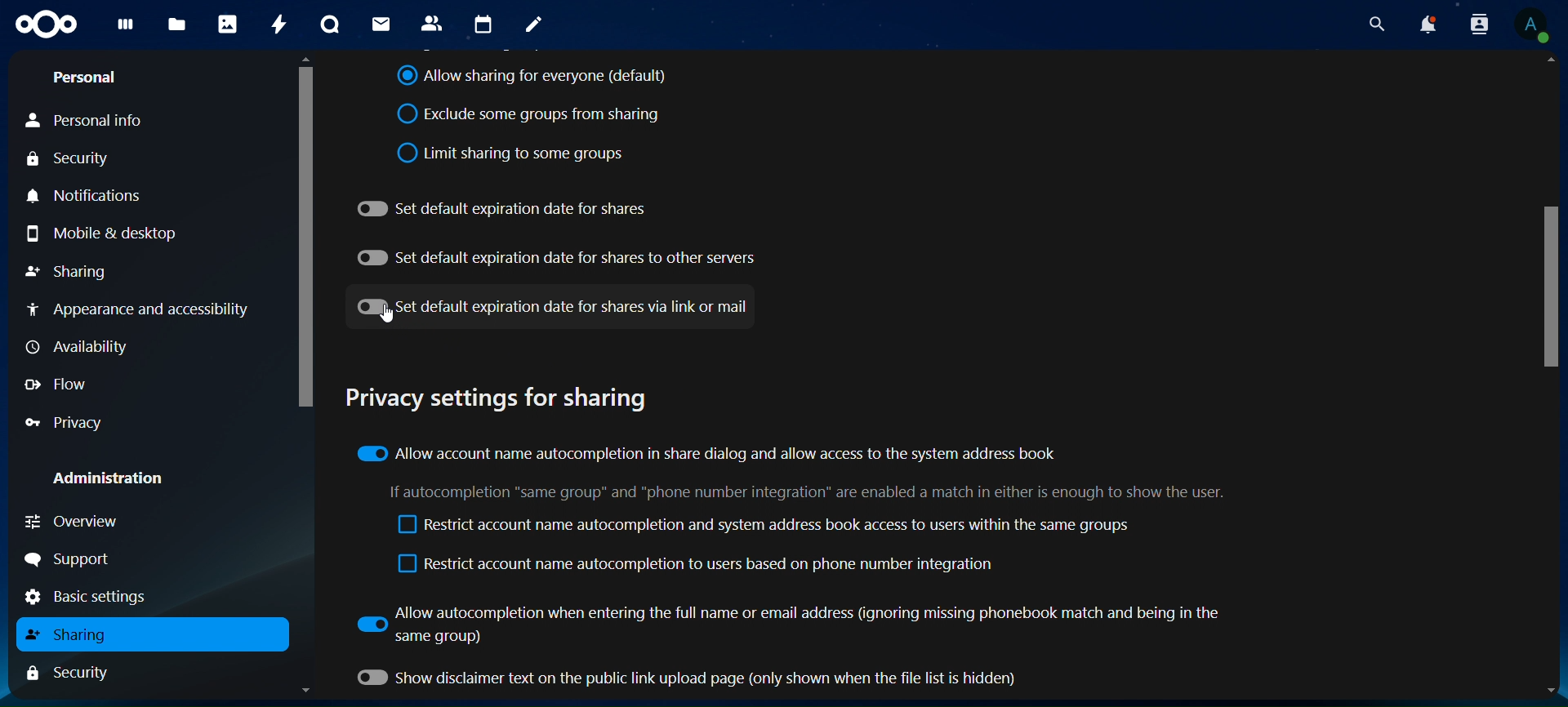 The height and width of the screenshot is (707, 1568). I want to click on restrict account name autocompletion and system address book access to users within the same group, so click(764, 523).